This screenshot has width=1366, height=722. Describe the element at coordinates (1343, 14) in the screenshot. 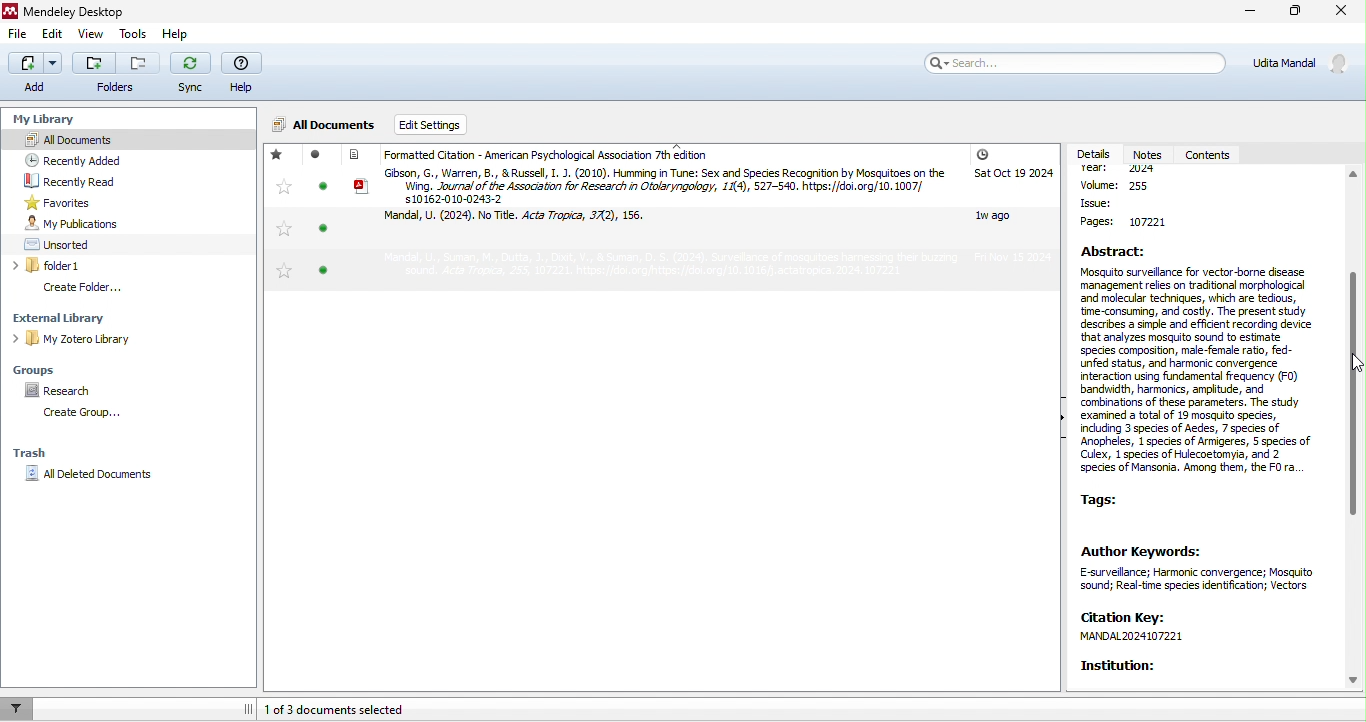

I see `close` at that location.